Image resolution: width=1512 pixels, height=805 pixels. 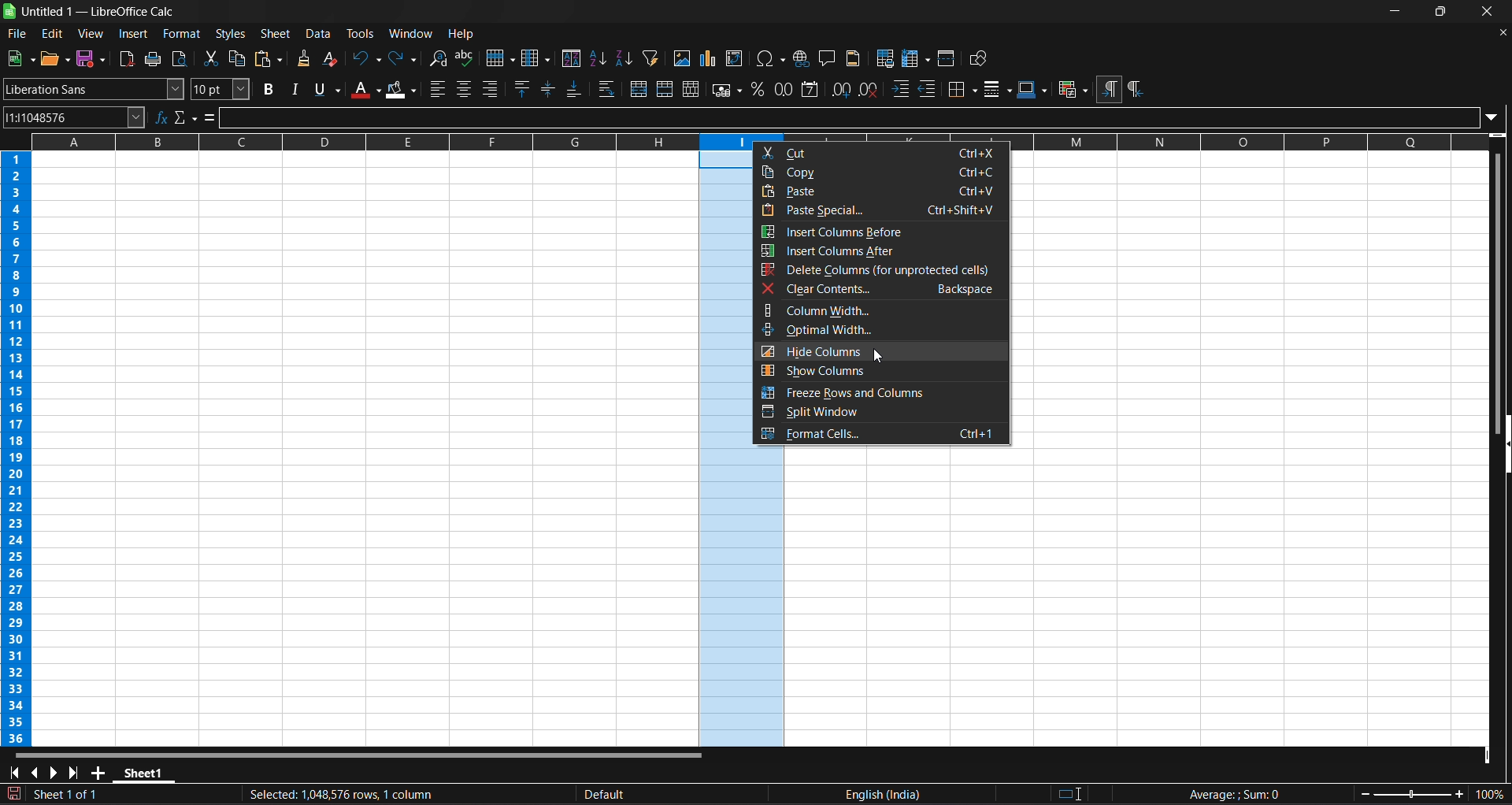 I want to click on insert or edit pivot table, so click(x=735, y=58).